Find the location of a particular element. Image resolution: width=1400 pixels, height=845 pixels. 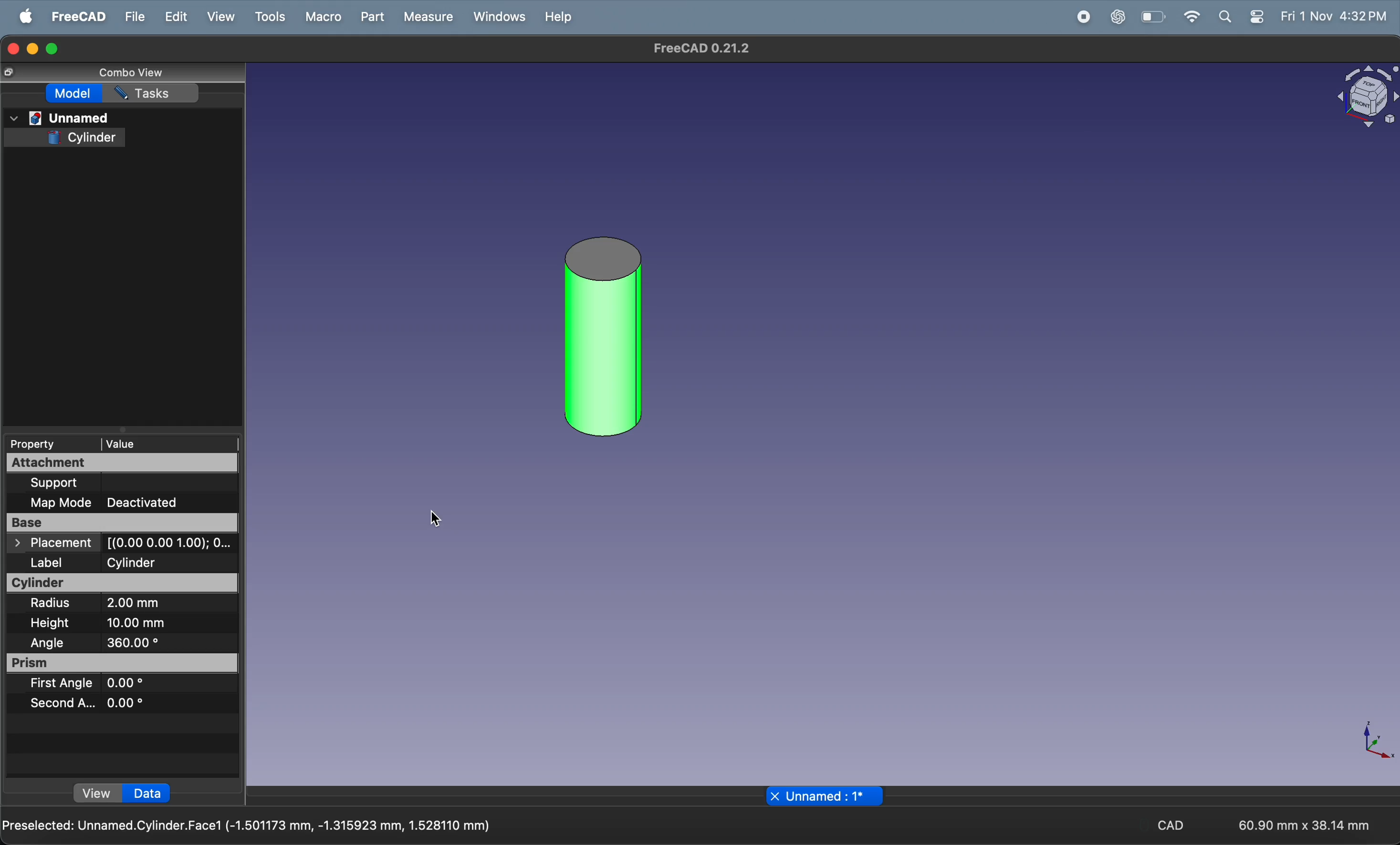

view is located at coordinates (215, 17).